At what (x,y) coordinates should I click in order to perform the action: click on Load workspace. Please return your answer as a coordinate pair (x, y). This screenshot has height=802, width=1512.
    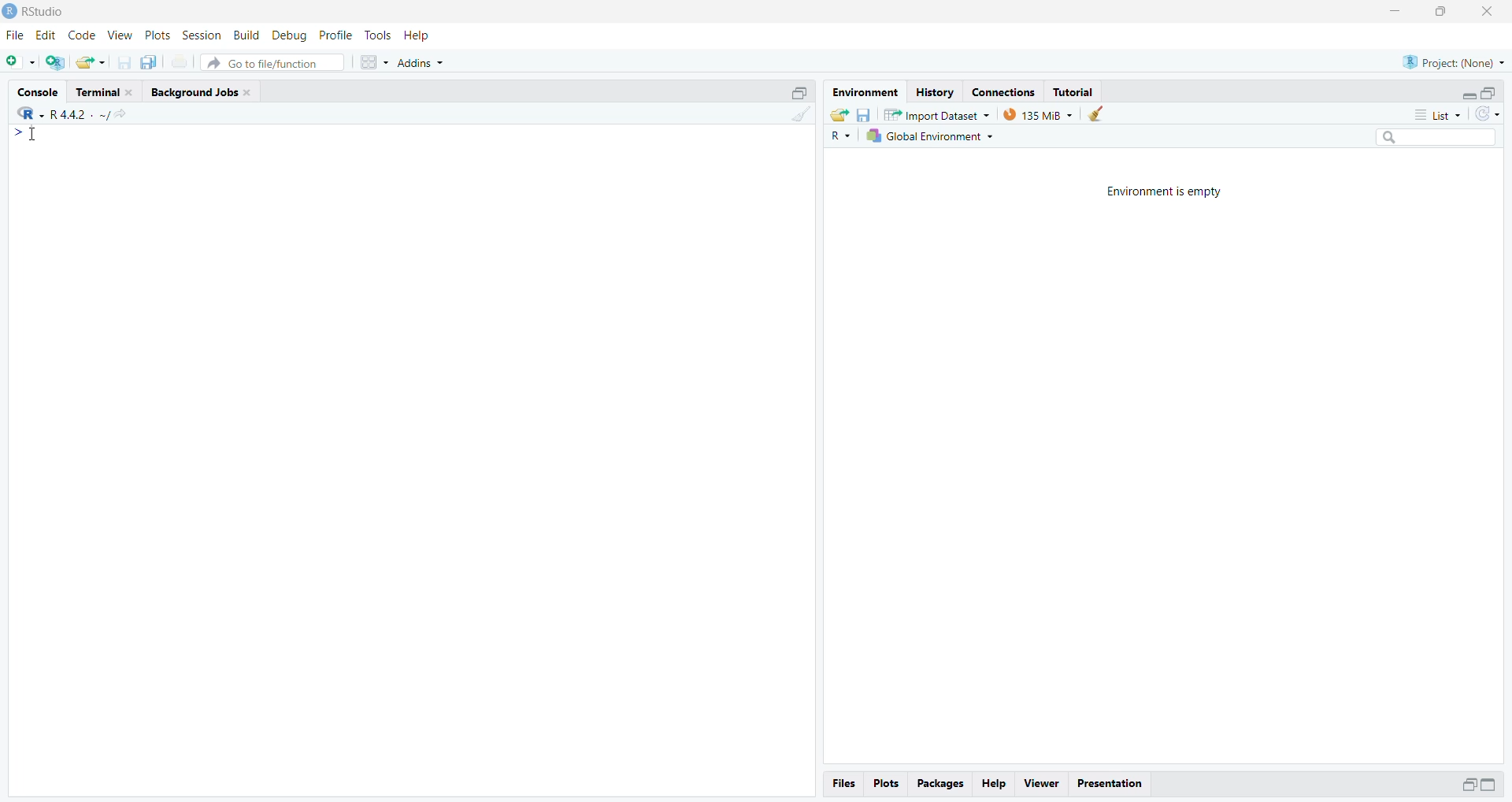
    Looking at the image, I should click on (837, 114).